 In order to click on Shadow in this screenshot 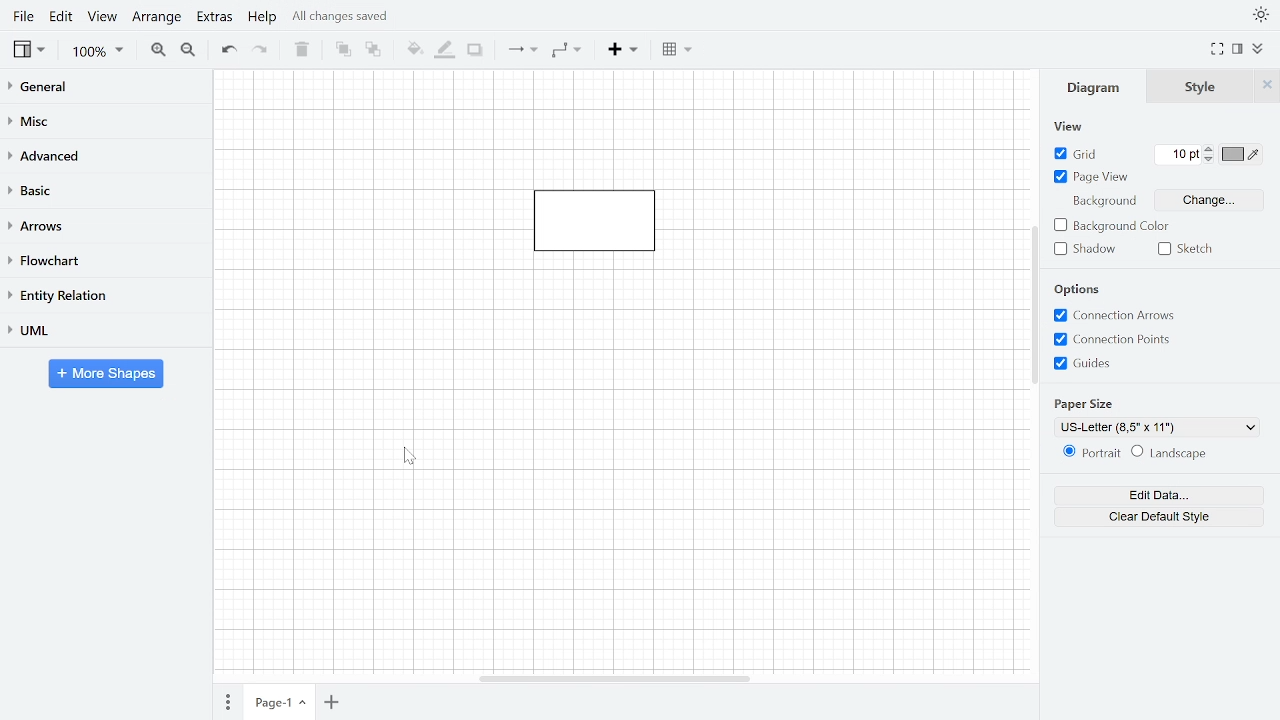, I will do `click(1086, 250)`.